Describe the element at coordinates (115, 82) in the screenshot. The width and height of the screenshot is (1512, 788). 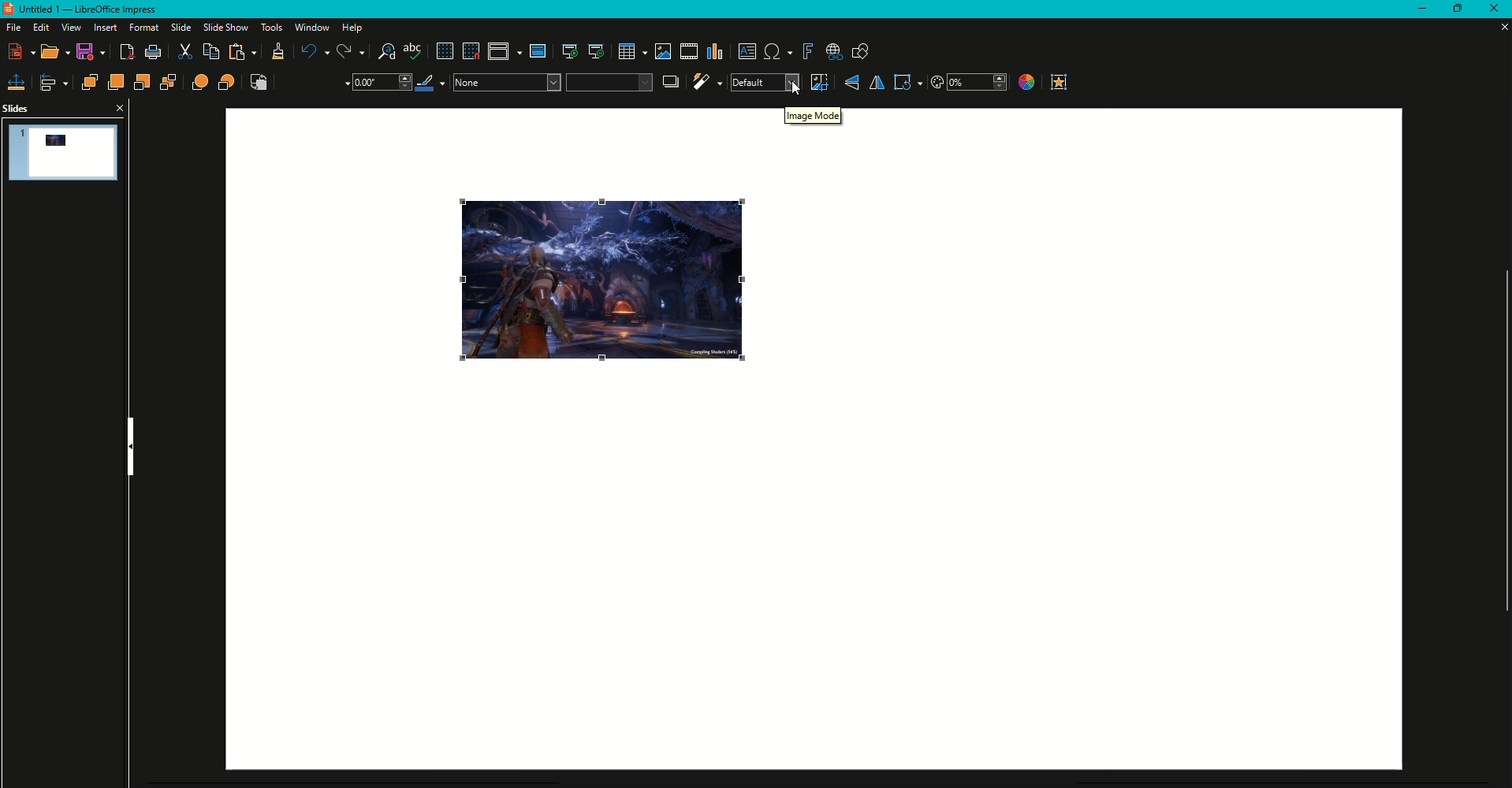
I see `Forward` at that location.